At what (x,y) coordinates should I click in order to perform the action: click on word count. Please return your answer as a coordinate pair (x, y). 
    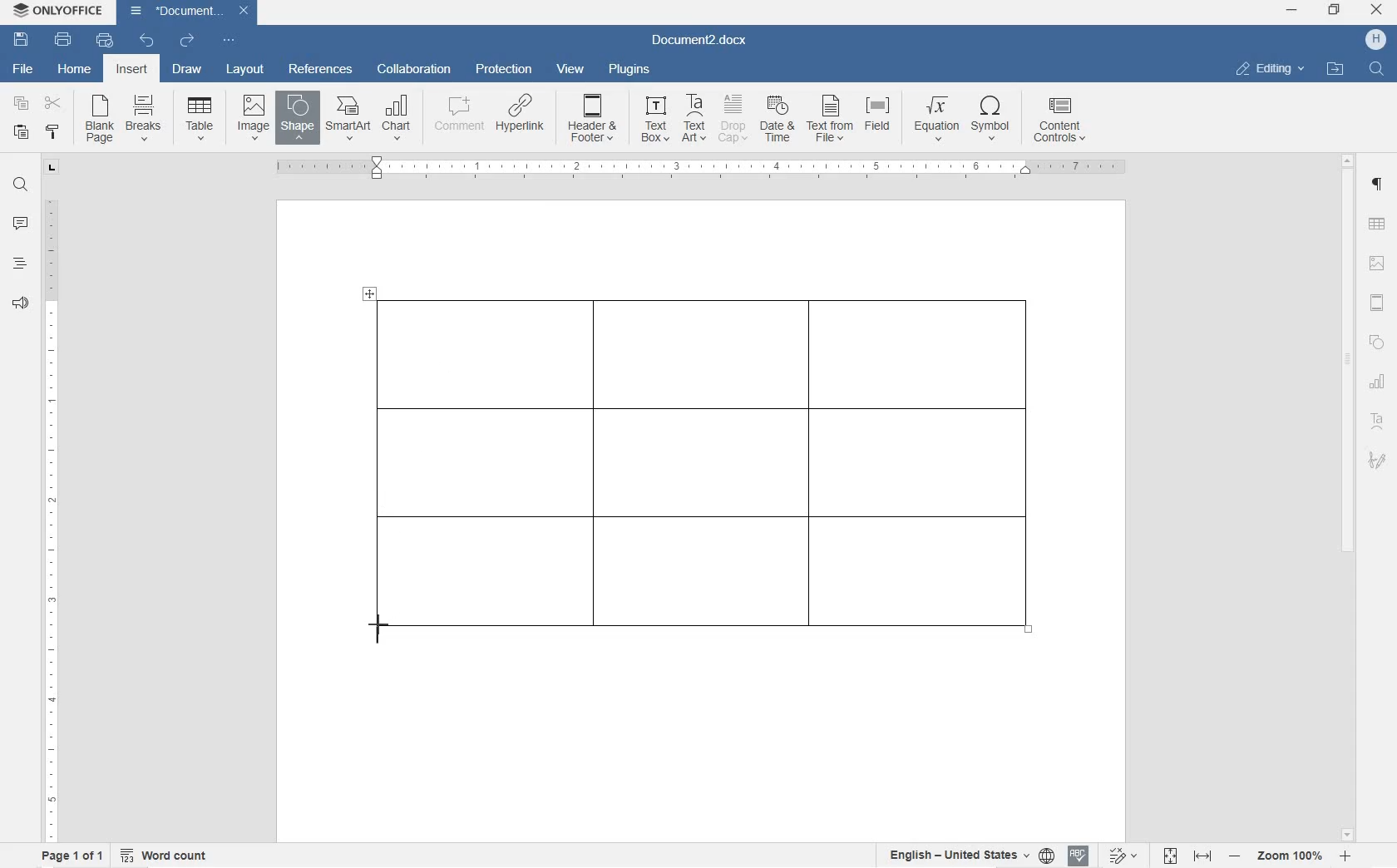
    Looking at the image, I should click on (165, 855).